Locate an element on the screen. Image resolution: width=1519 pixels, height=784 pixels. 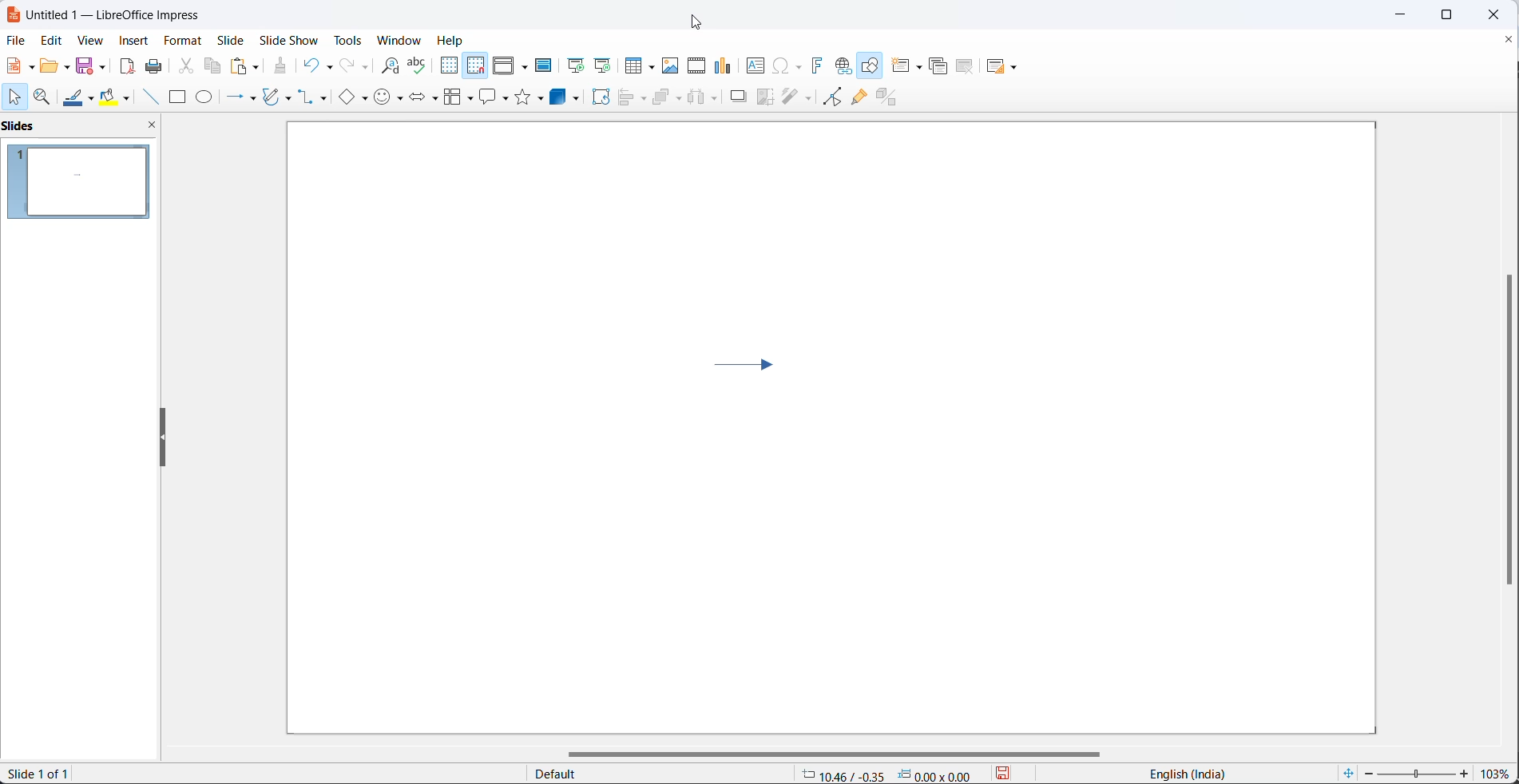
save  is located at coordinates (88, 65).